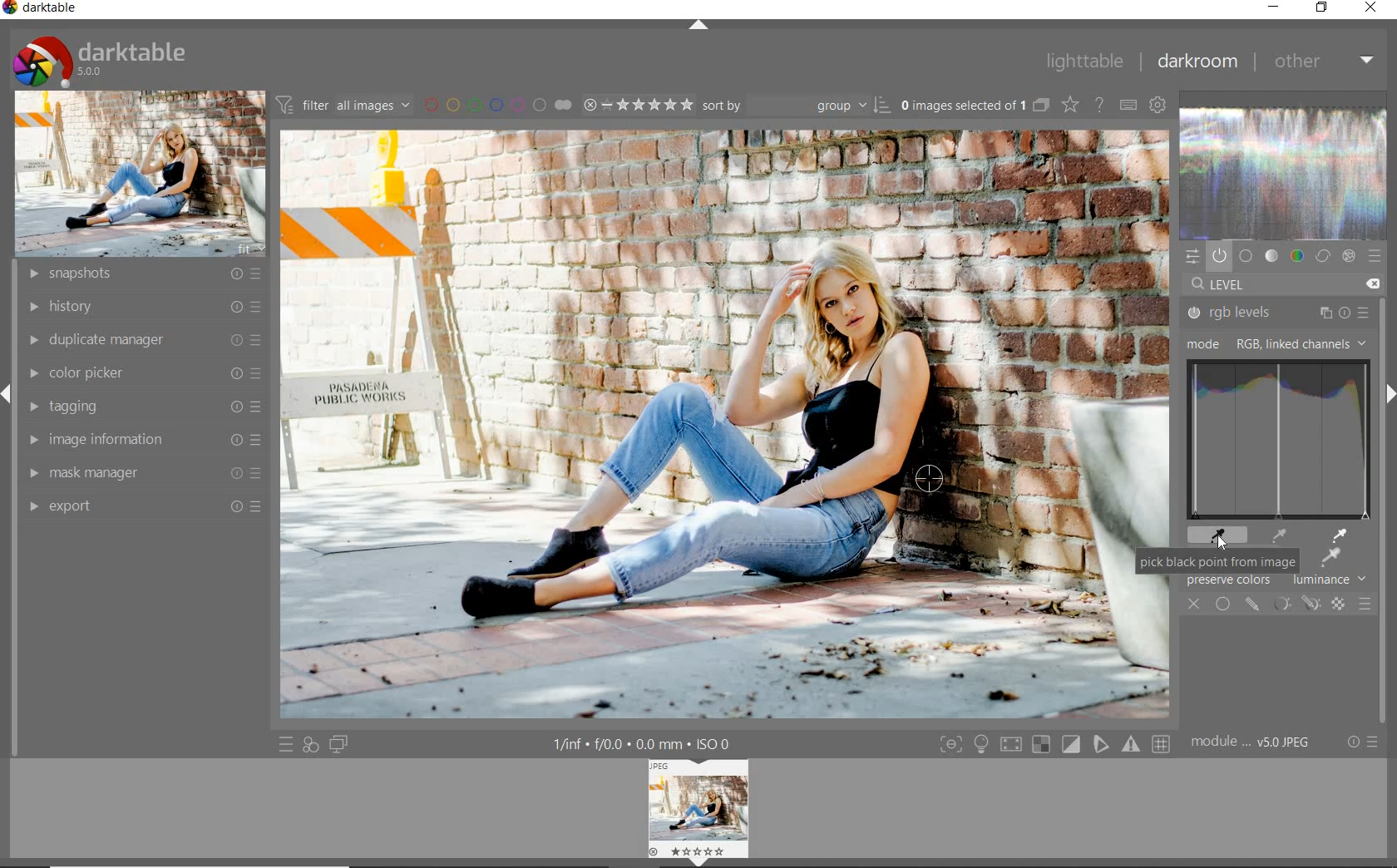 The width and height of the screenshot is (1397, 868). Describe the element at coordinates (101, 61) in the screenshot. I see `system logo & name` at that location.